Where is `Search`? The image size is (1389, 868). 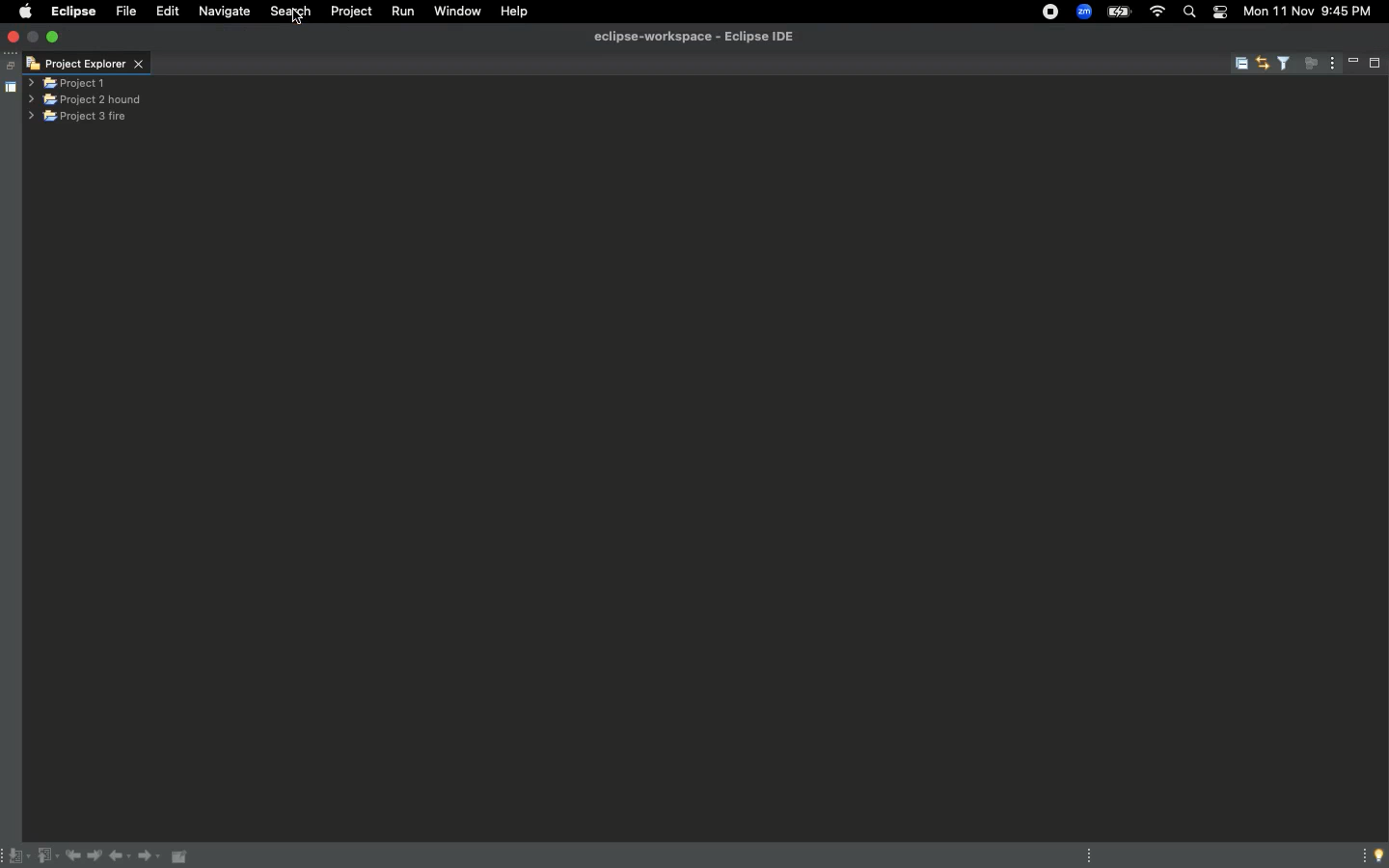 Search is located at coordinates (1188, 13).